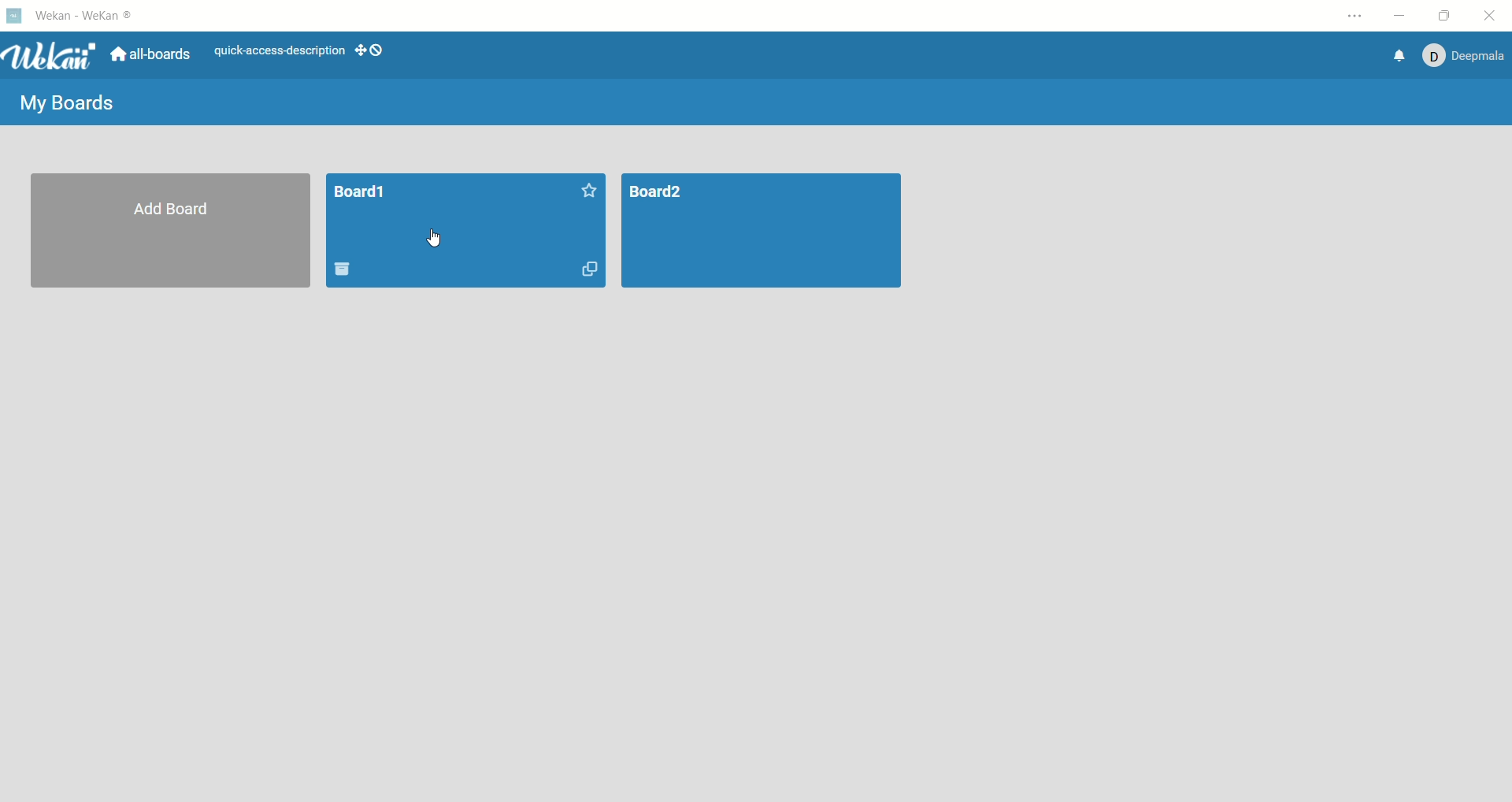 This screenshot has height=802, width=1512. Describe the element at coordinates (87, 16) in the screenshot. I see `title` at that location.